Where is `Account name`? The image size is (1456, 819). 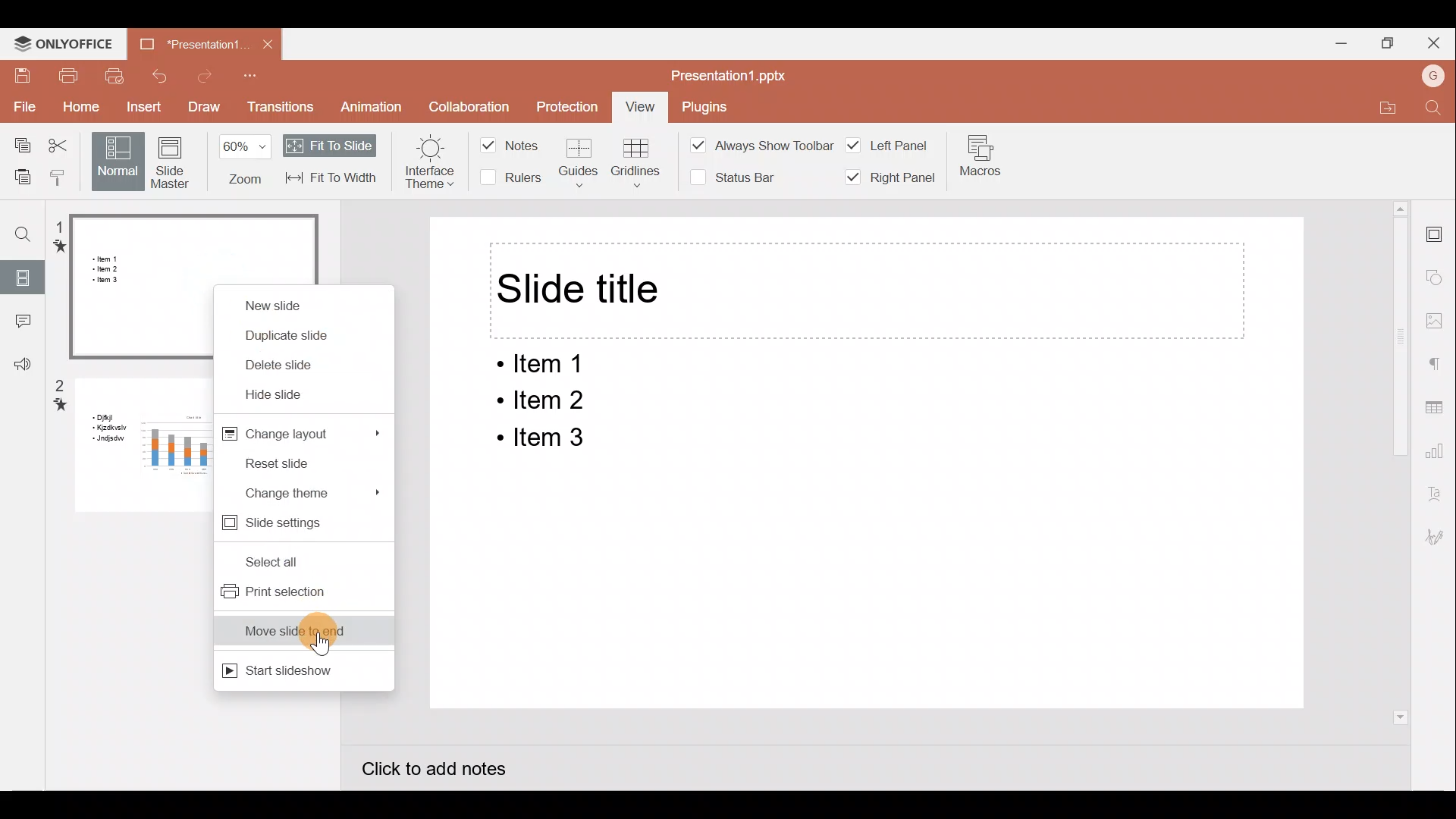
Account name is located at coordinates (1433, 77).